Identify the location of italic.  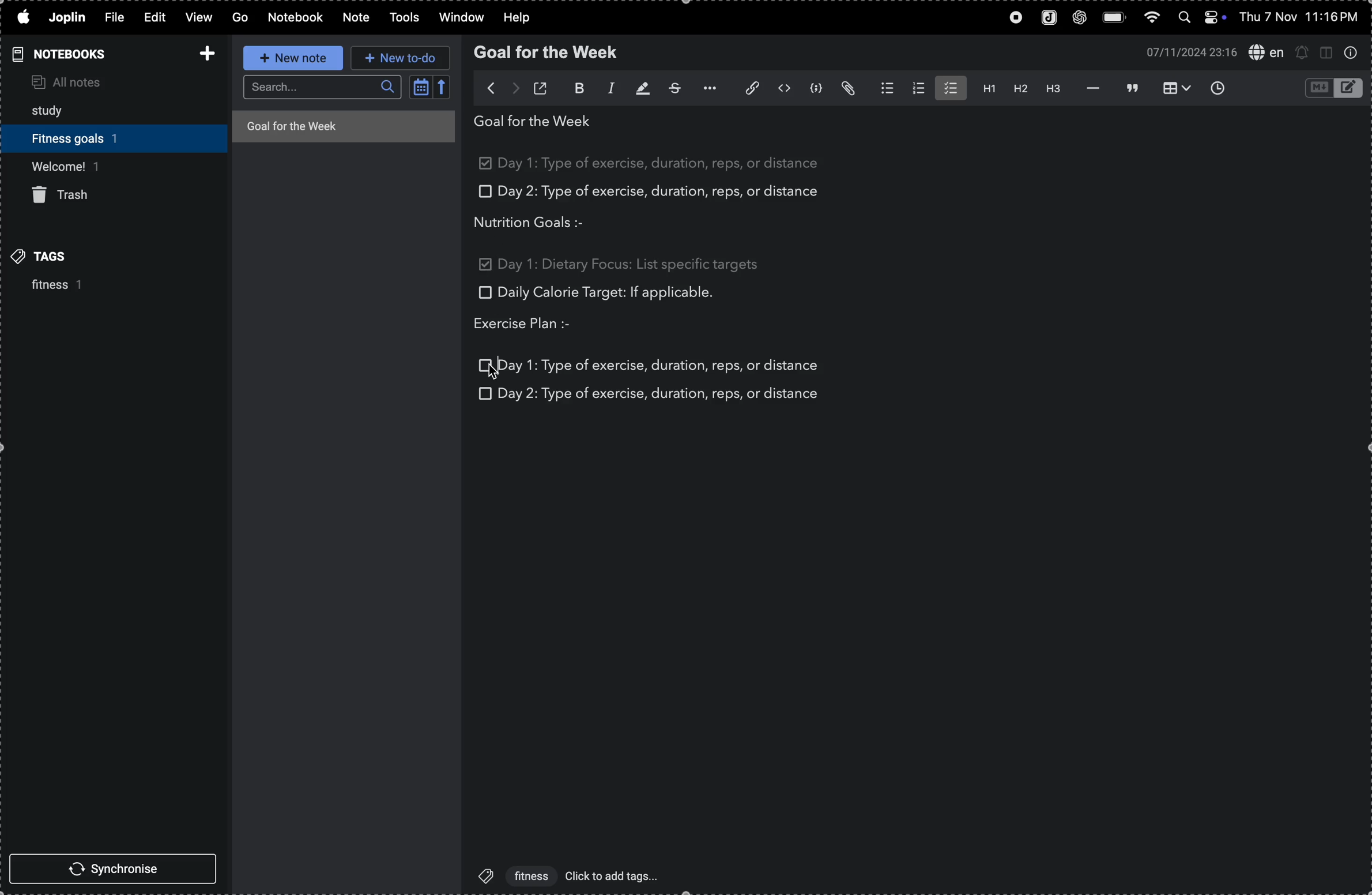
(604, 89).